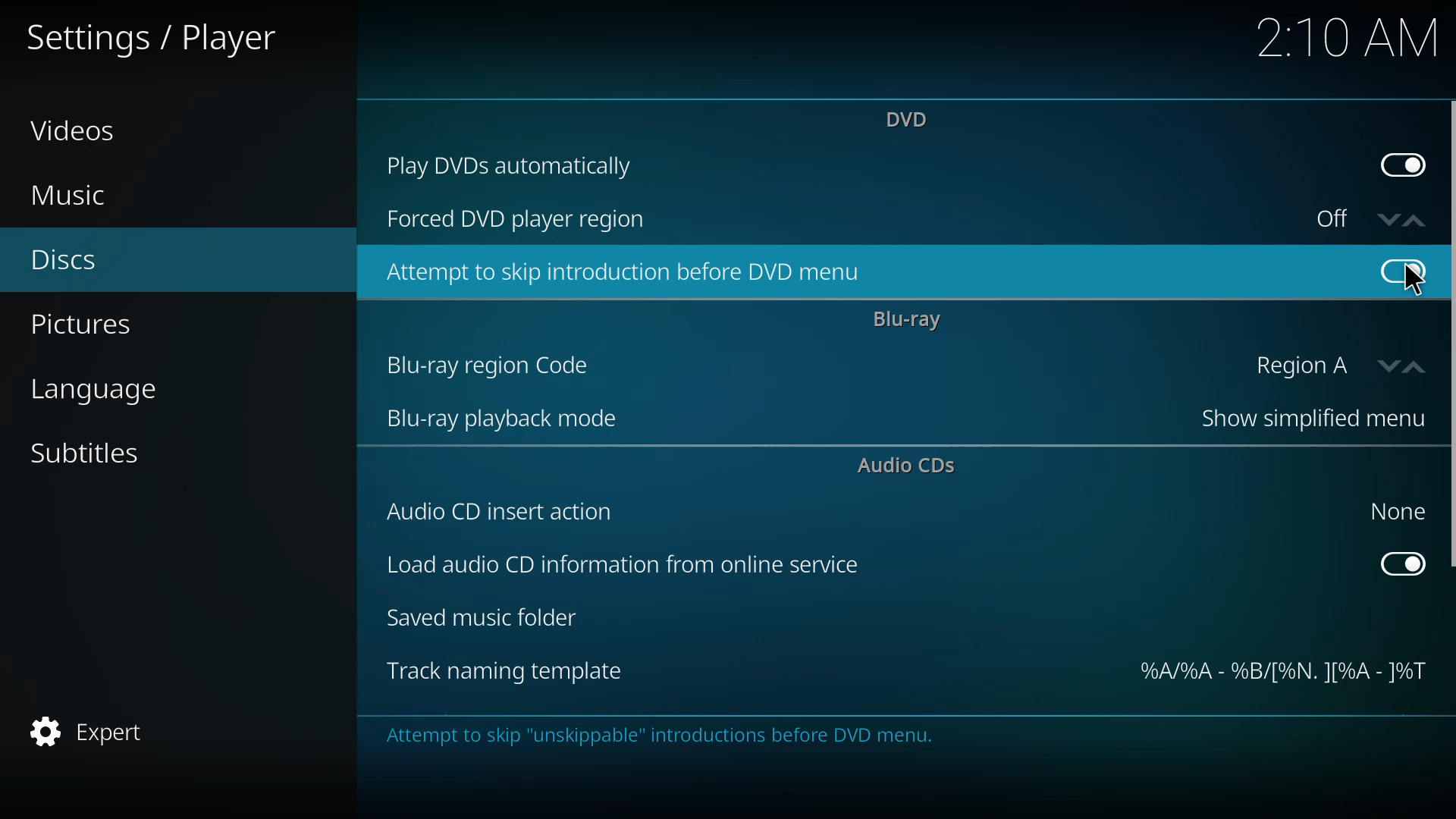 Image resolution: width=1456 pixels, height=819 pixels. Describe the element at coordinates (500, 510) in the screenshot. I see `audio cd insert action` at that location.